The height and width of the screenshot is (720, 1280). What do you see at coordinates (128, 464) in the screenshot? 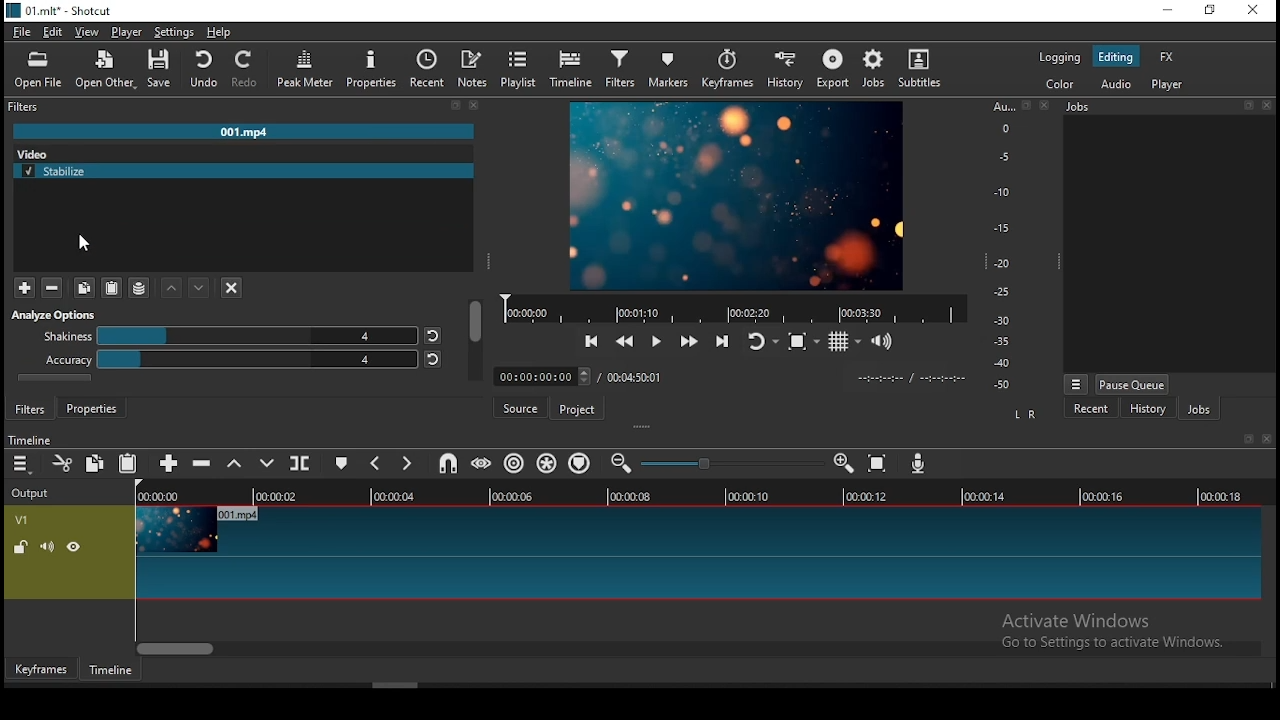
I see `paste` at bounding box center [128, 464].